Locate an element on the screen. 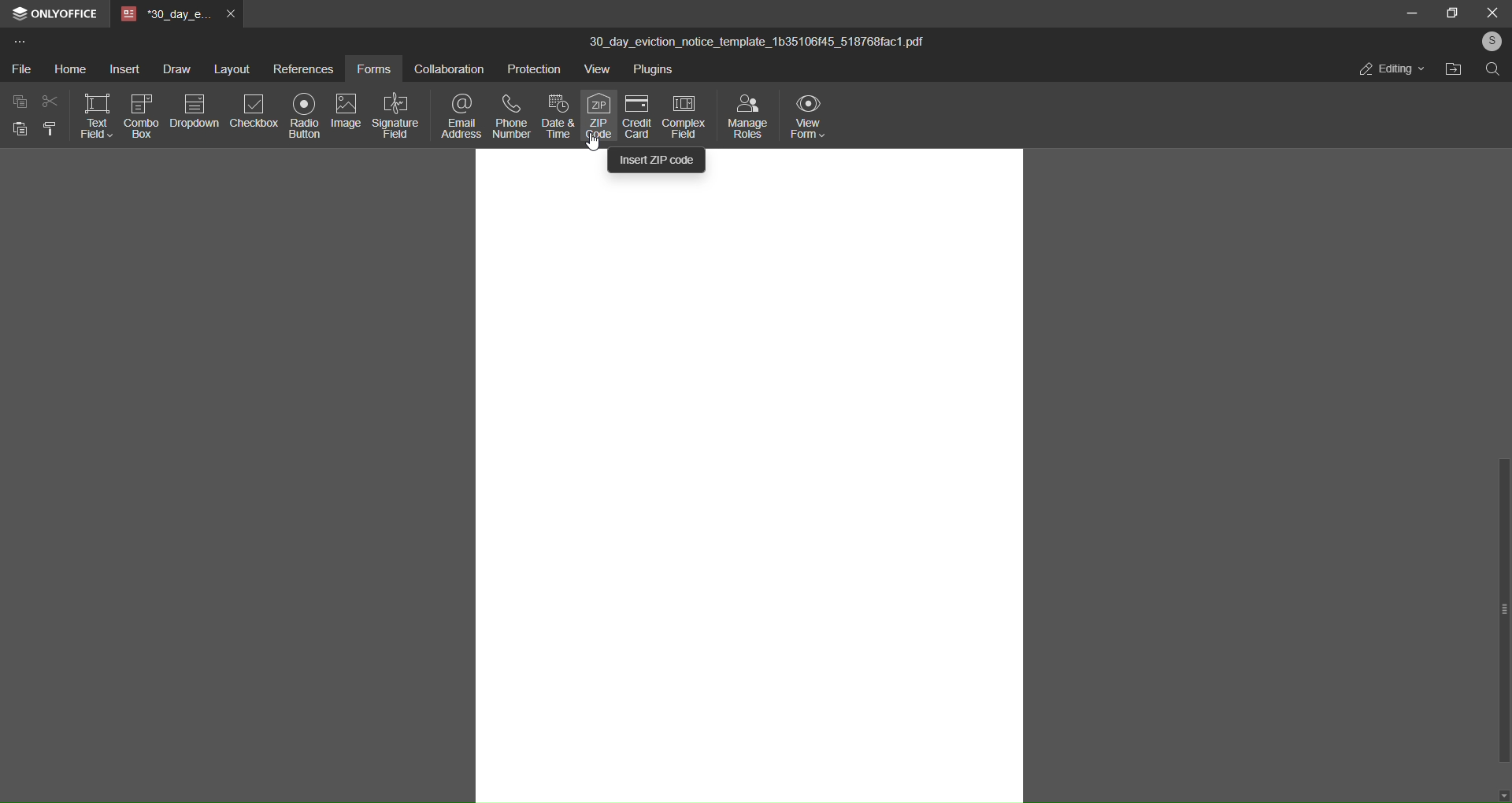 This screenshot has width=1512, height=803. open file location is located at coordinates (1449, 70).